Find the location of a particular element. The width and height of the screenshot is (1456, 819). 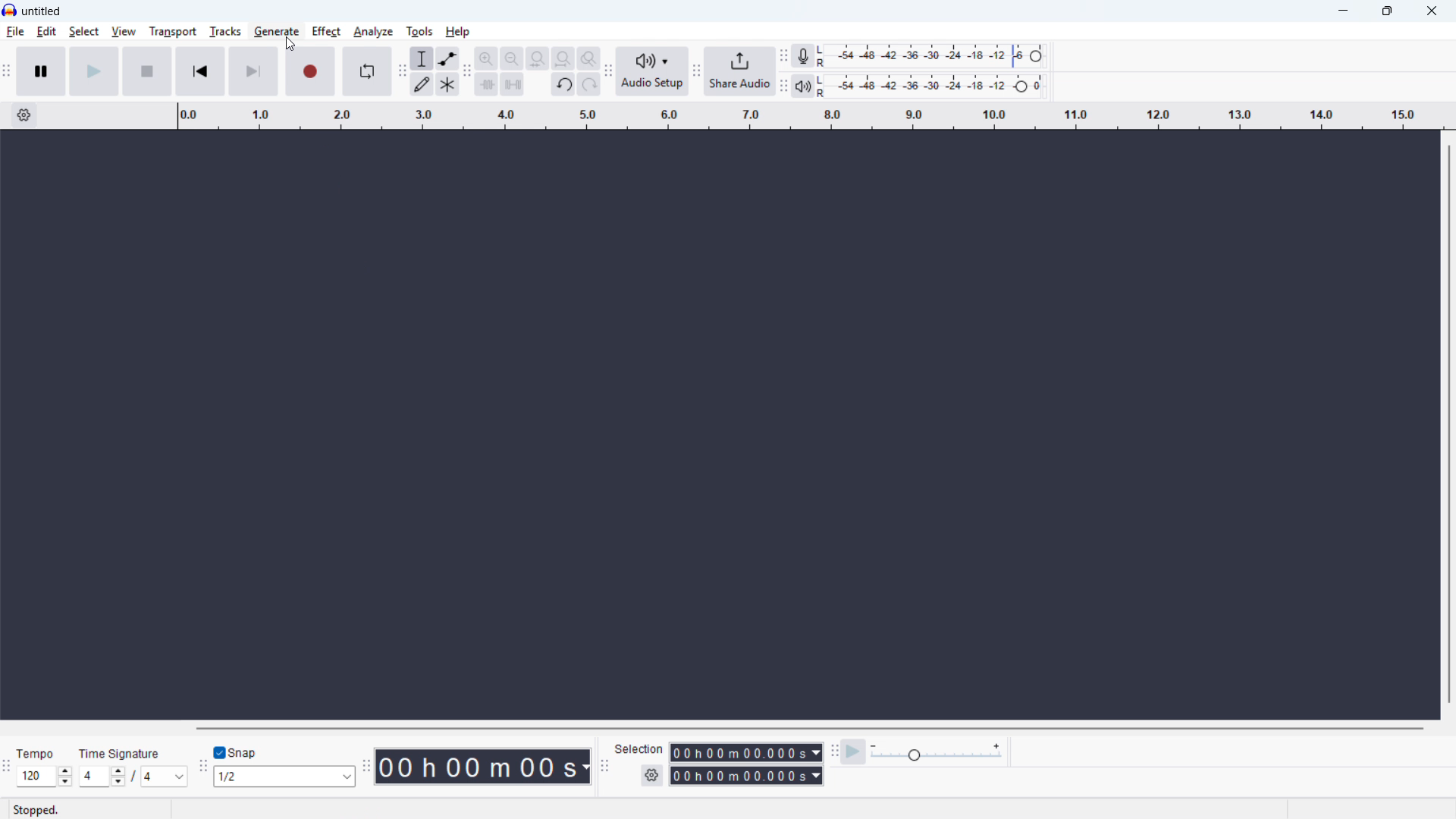

Quit selection to width  is located at coordinates (538, 59).